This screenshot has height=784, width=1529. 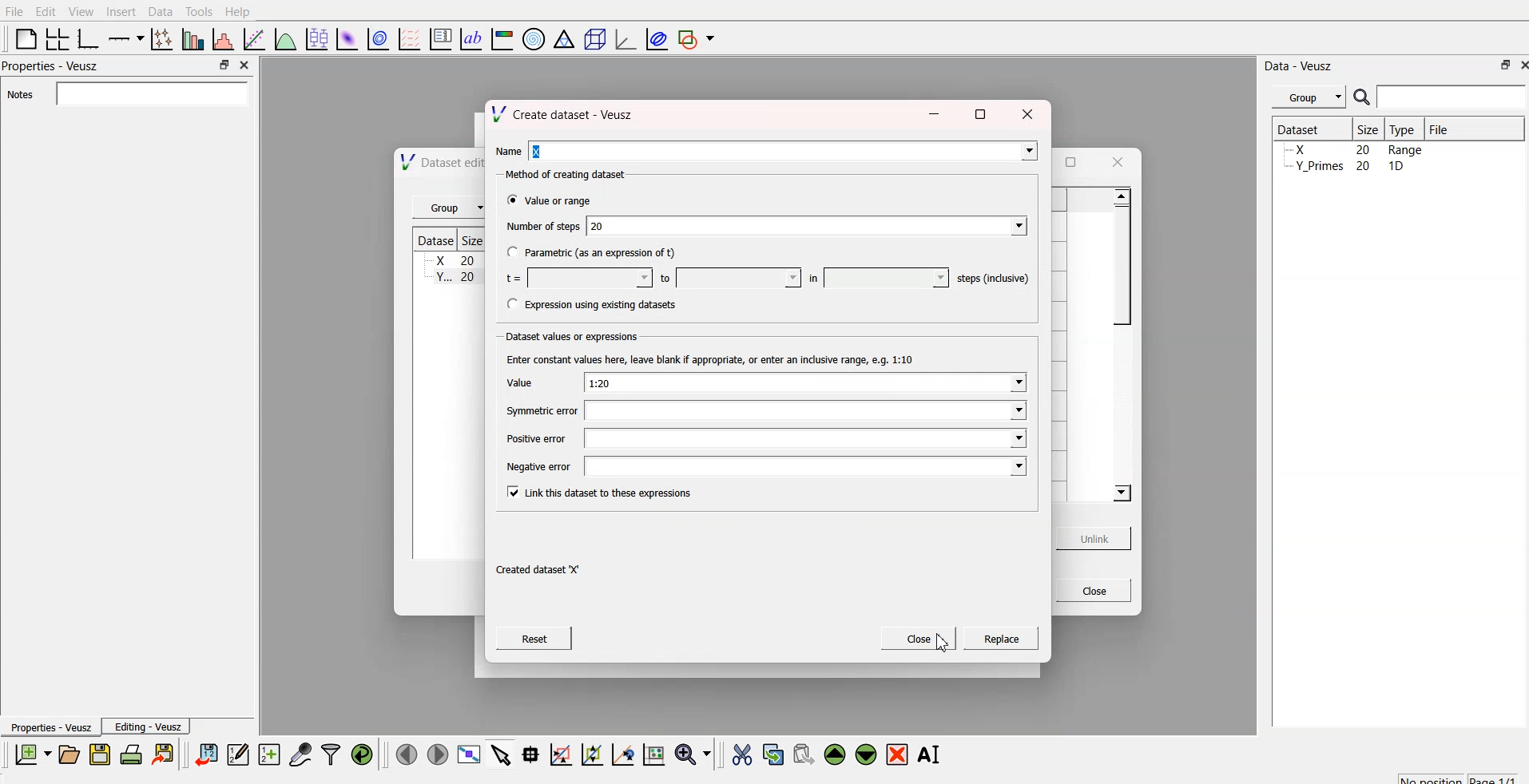 What do you see at coordinates (68, 754) in the screenshot?
I see `open a document` at bounding box center [68, 754].